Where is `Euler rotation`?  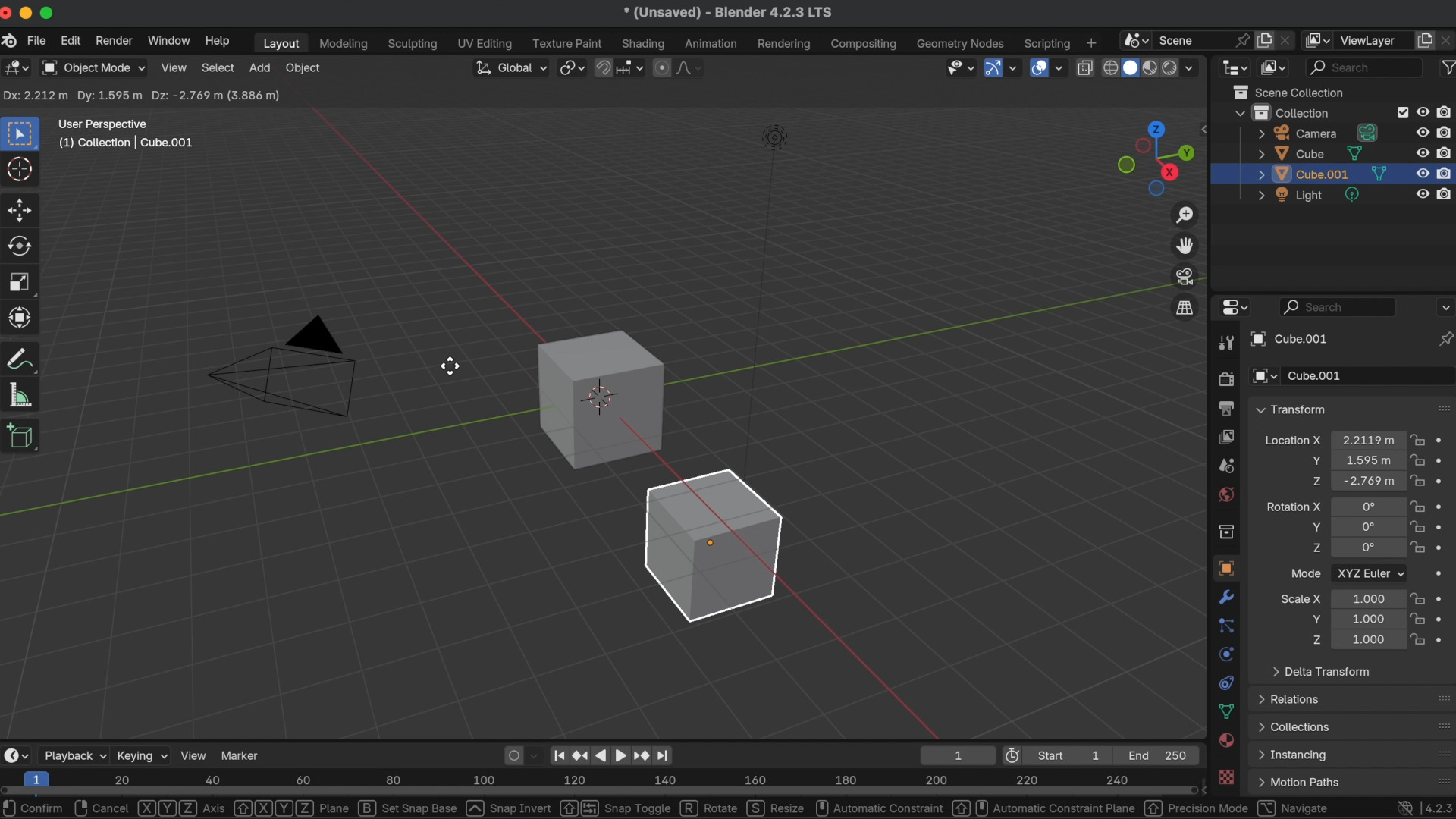
Euler rotation is located at coordinates (1367, 507).